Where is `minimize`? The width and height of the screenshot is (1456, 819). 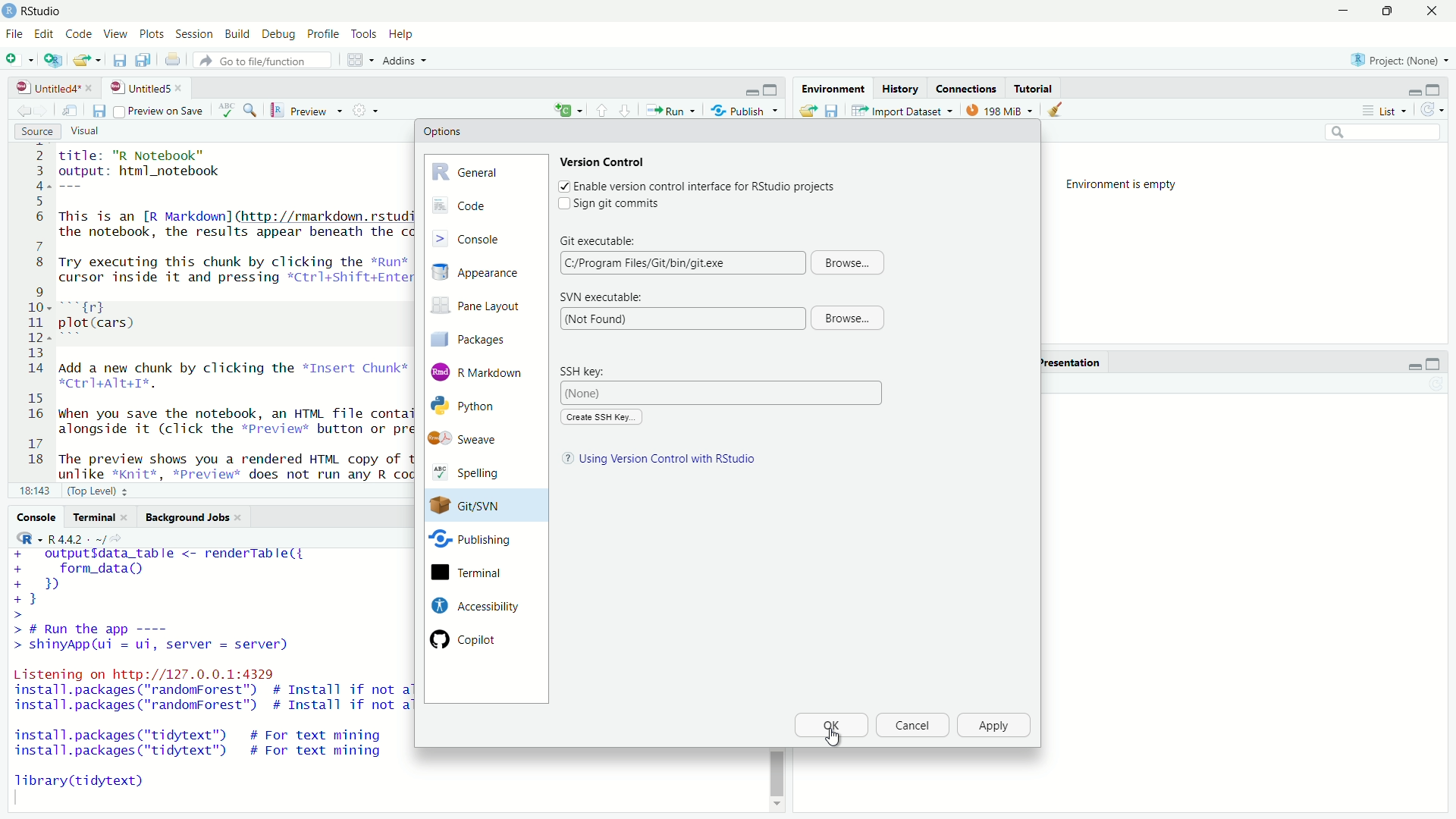 minimize is located at coordinates (752, 91).